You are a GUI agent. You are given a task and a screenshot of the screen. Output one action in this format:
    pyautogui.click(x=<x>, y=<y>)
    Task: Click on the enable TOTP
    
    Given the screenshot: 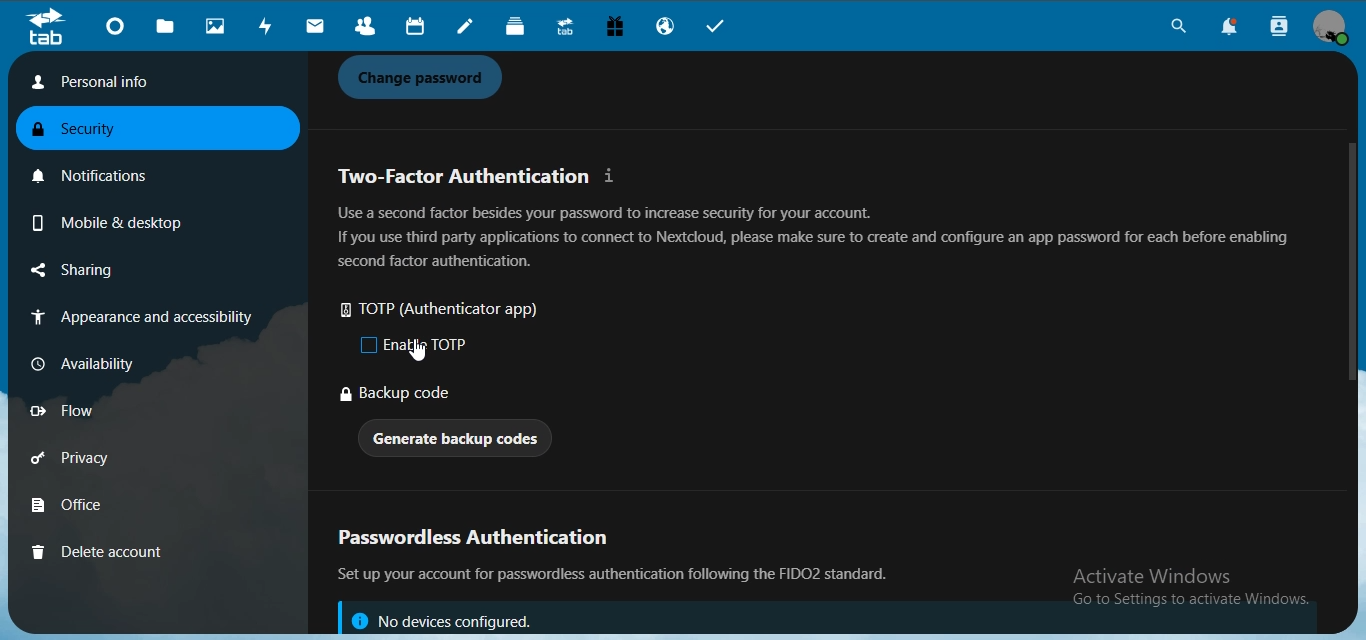 What is the action you would take?
    pyautogui.click(x=418, y=345)
    